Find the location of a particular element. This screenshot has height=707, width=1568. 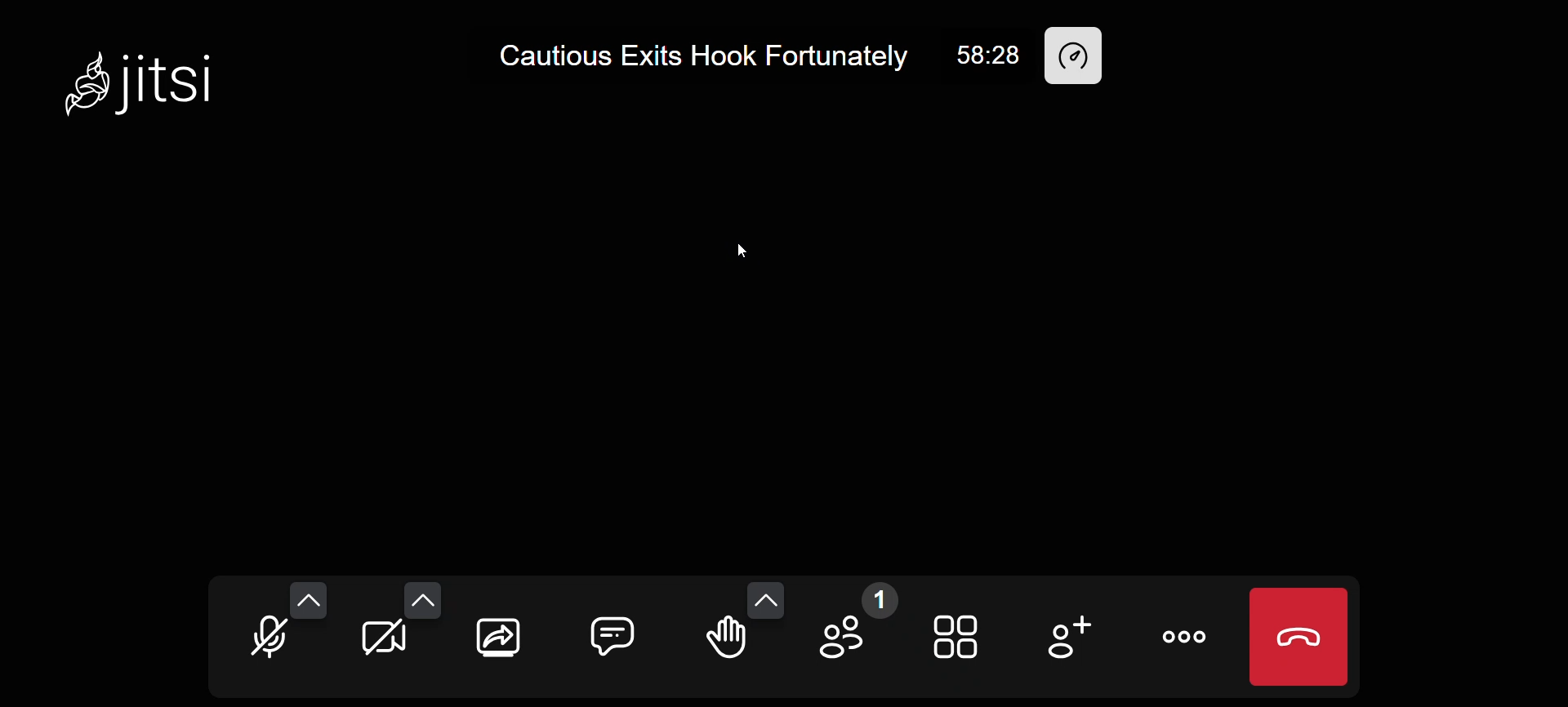

Jitsi is located at coordinates (150, 78).